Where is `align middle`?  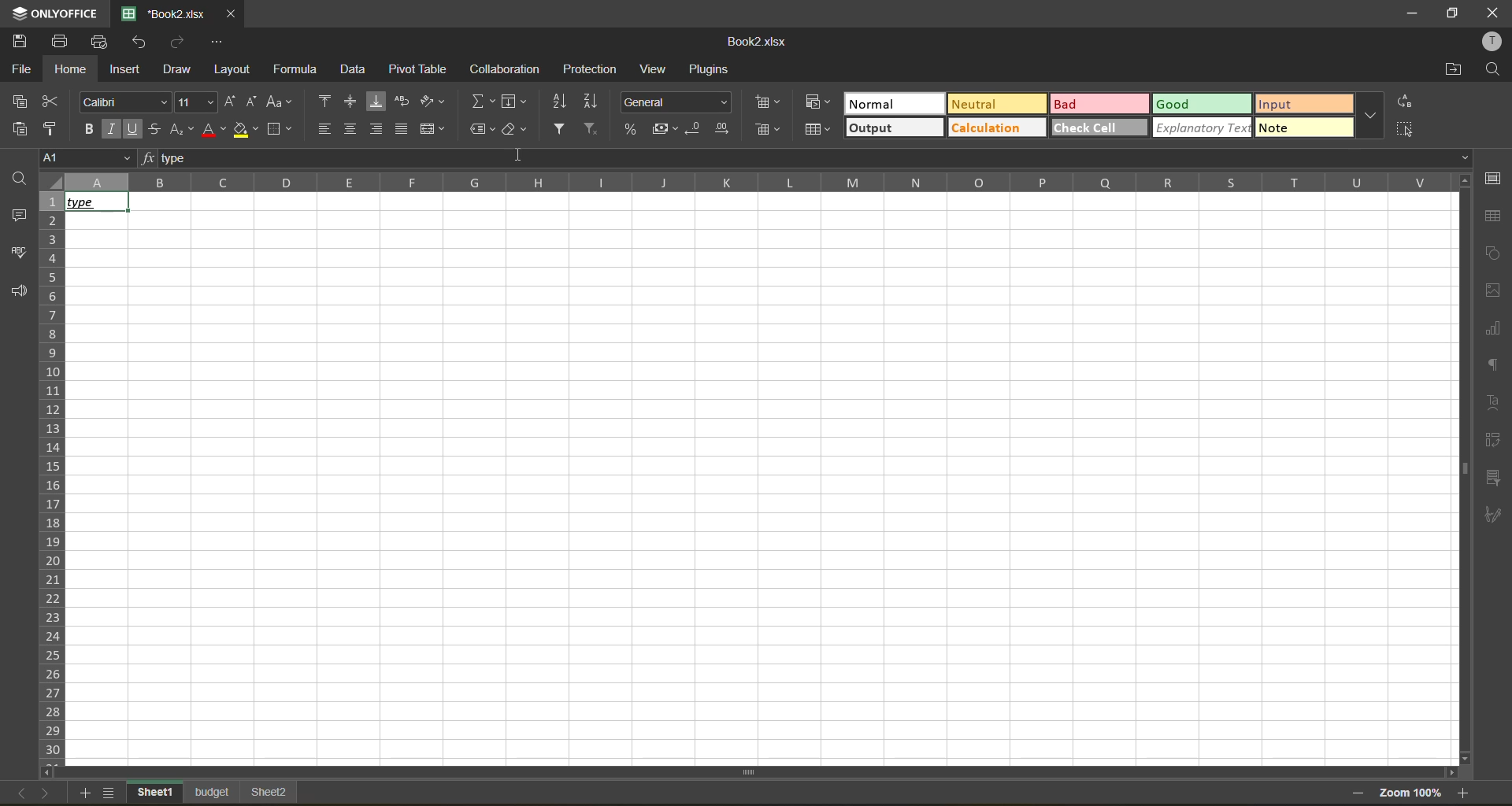
align middle is located at coordinates (353, 103).